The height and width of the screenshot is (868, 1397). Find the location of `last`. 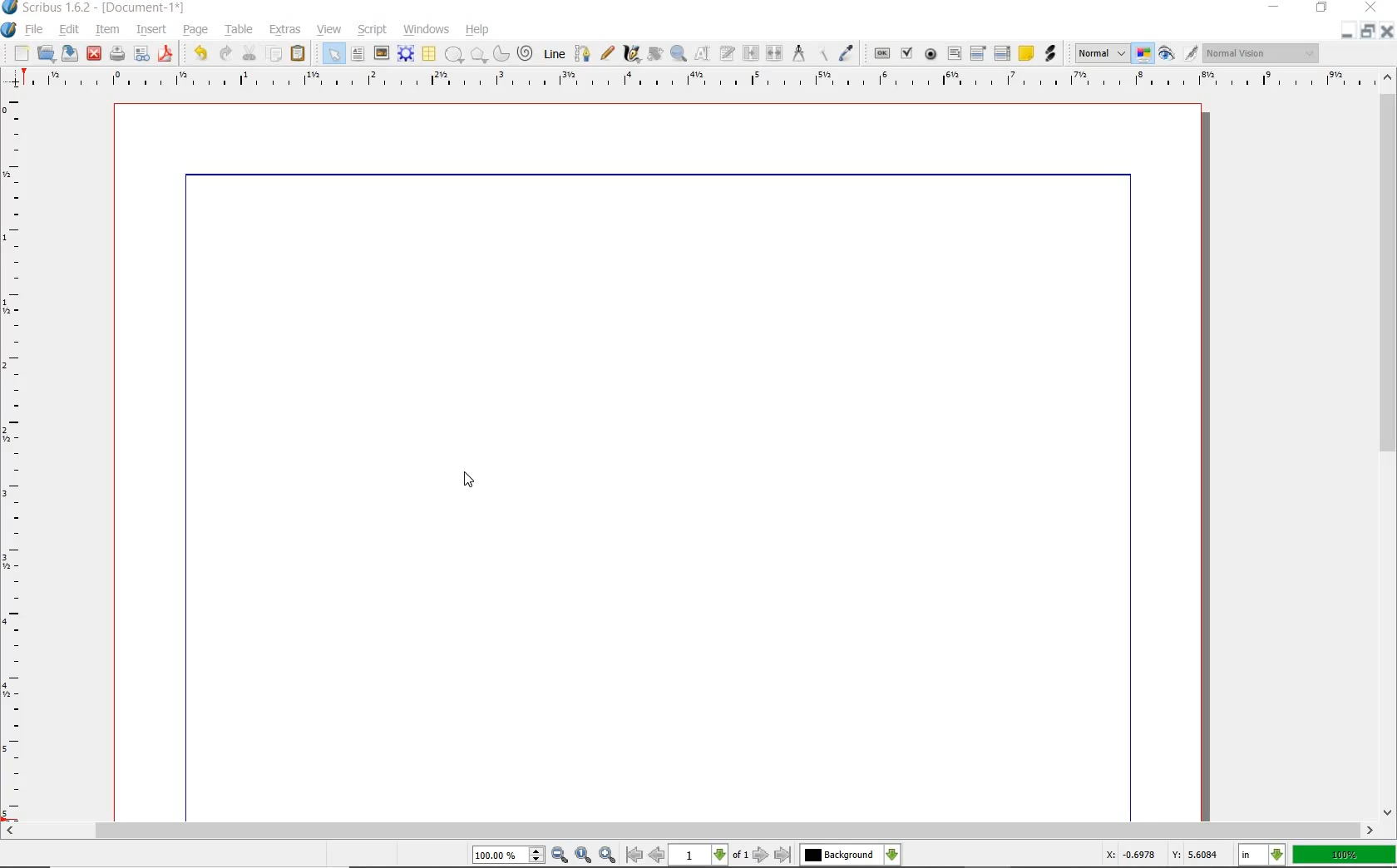

last is located at coordinates (782, 856).